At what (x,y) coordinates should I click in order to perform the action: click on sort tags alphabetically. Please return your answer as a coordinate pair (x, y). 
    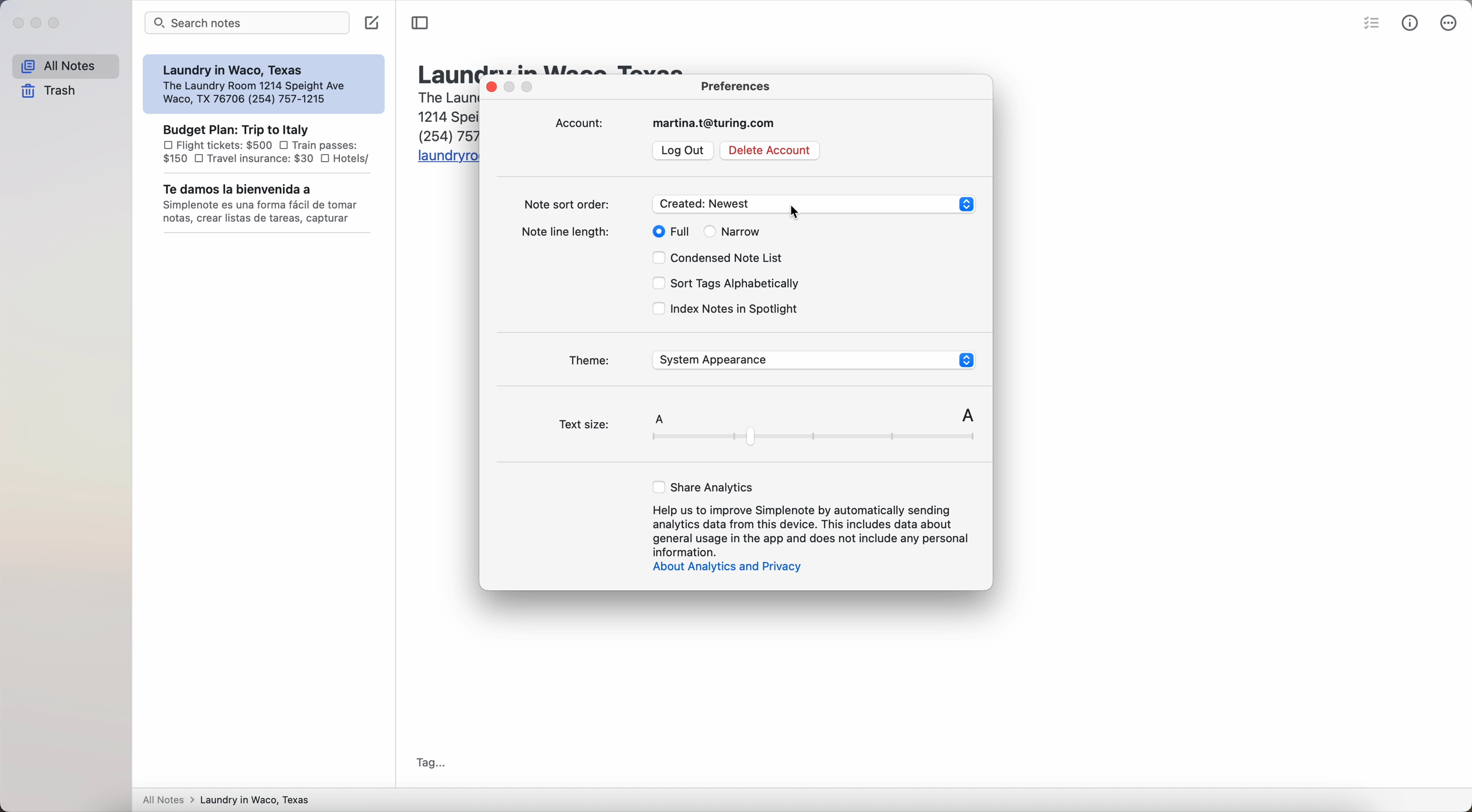
    Looking at the image, I should click on (724, 283).